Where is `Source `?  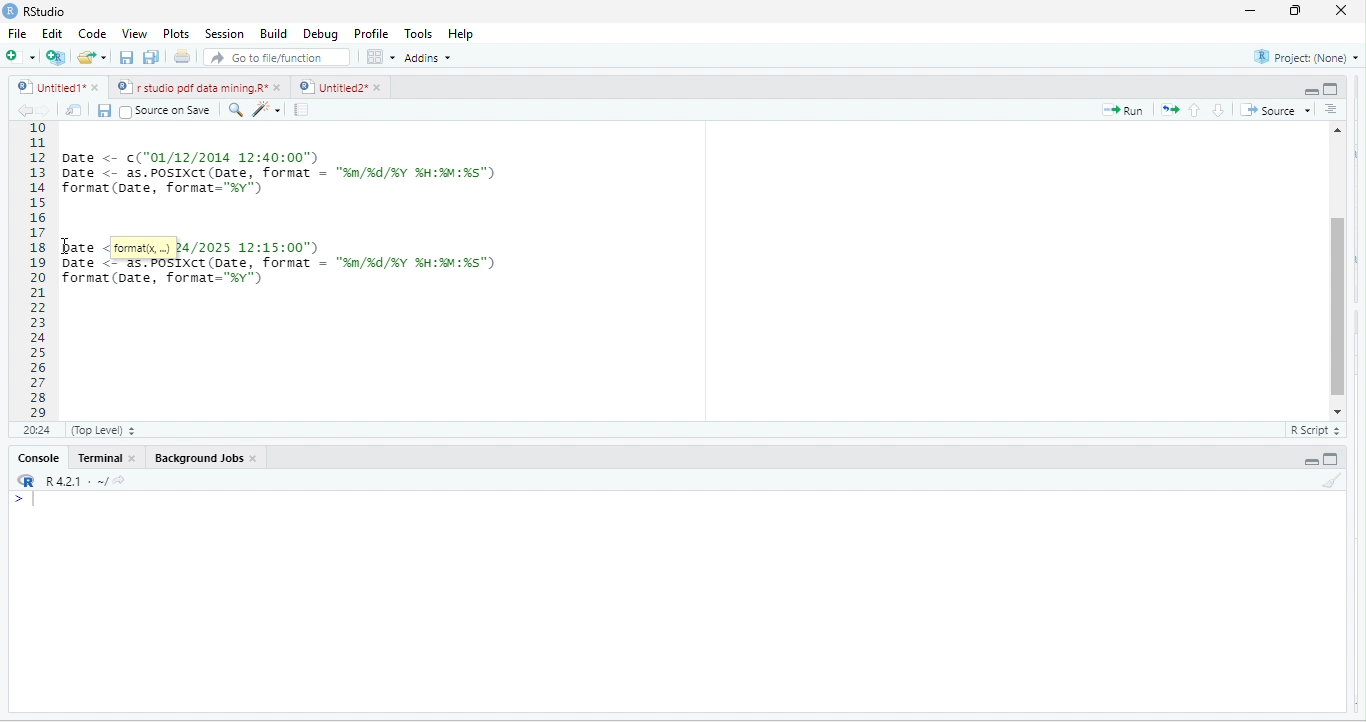 Source  is located at coordinates (1277, 110).